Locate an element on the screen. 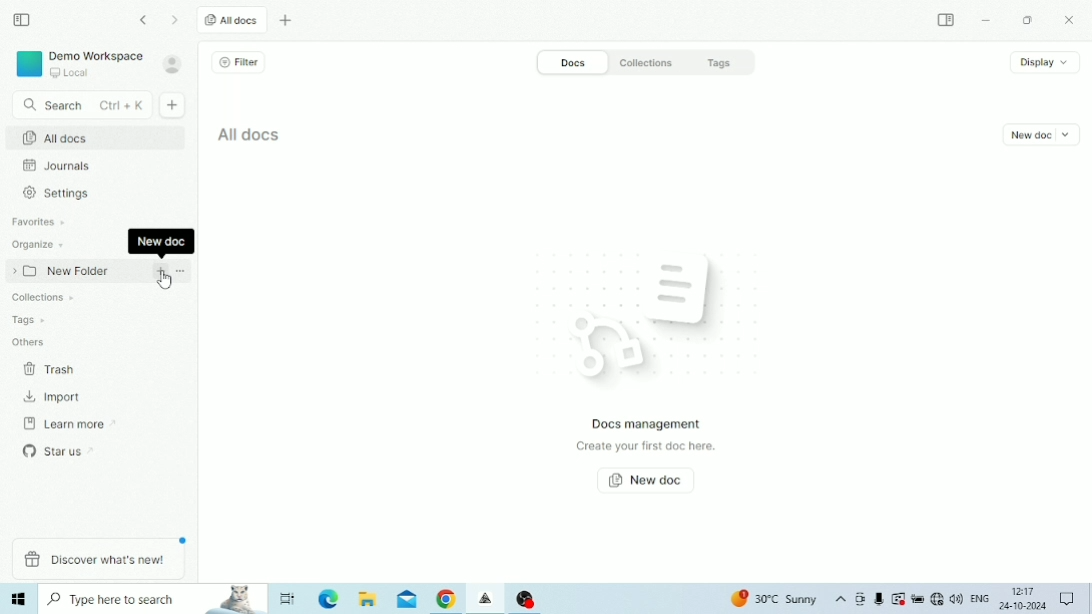 Image resolution: width=1092 pixels, height=614 pixels. Minimize is located at coordinates (986, 21).